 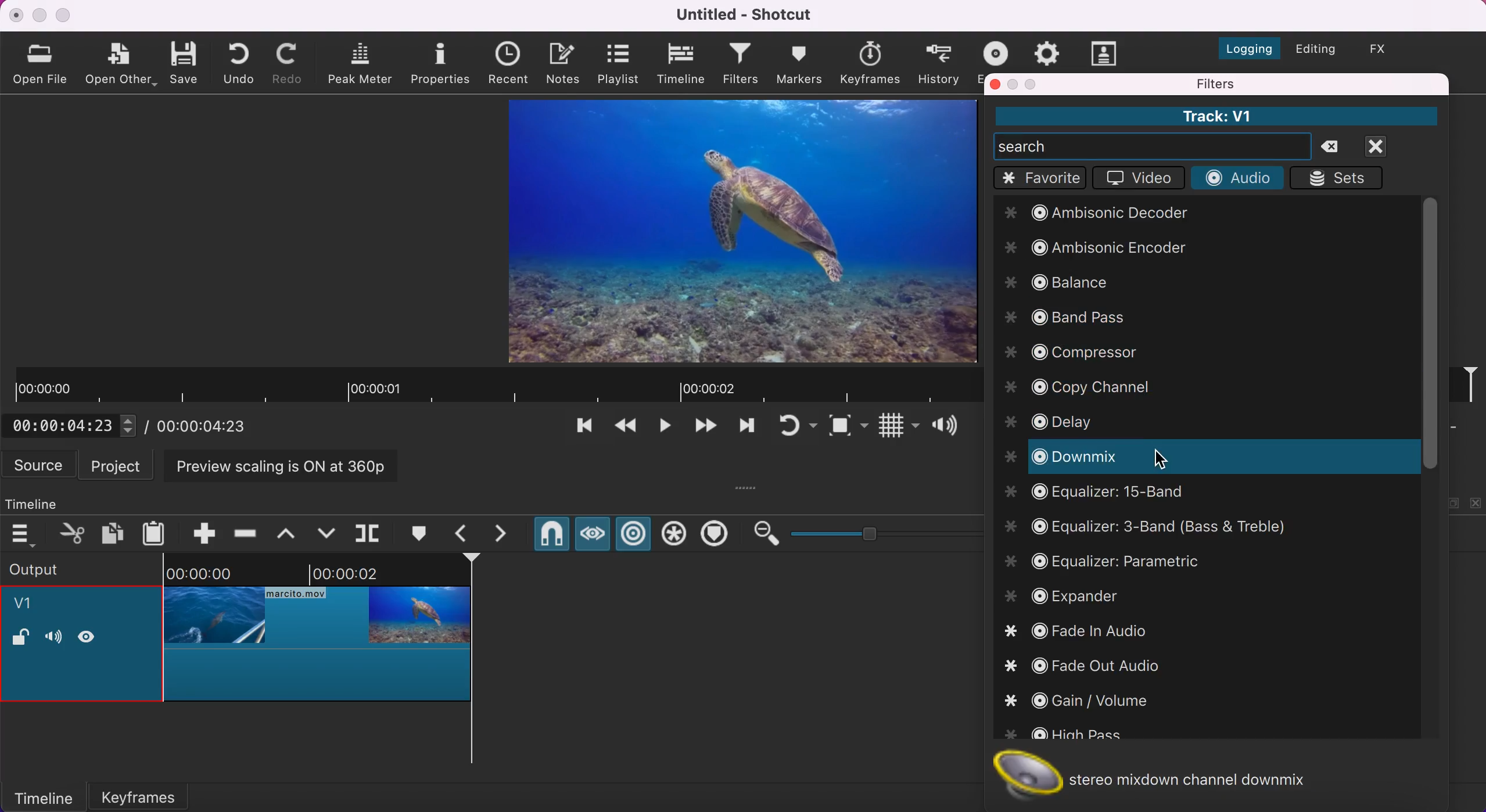 I want to click on toggle grid display on the player, so click(x=897, y=428).